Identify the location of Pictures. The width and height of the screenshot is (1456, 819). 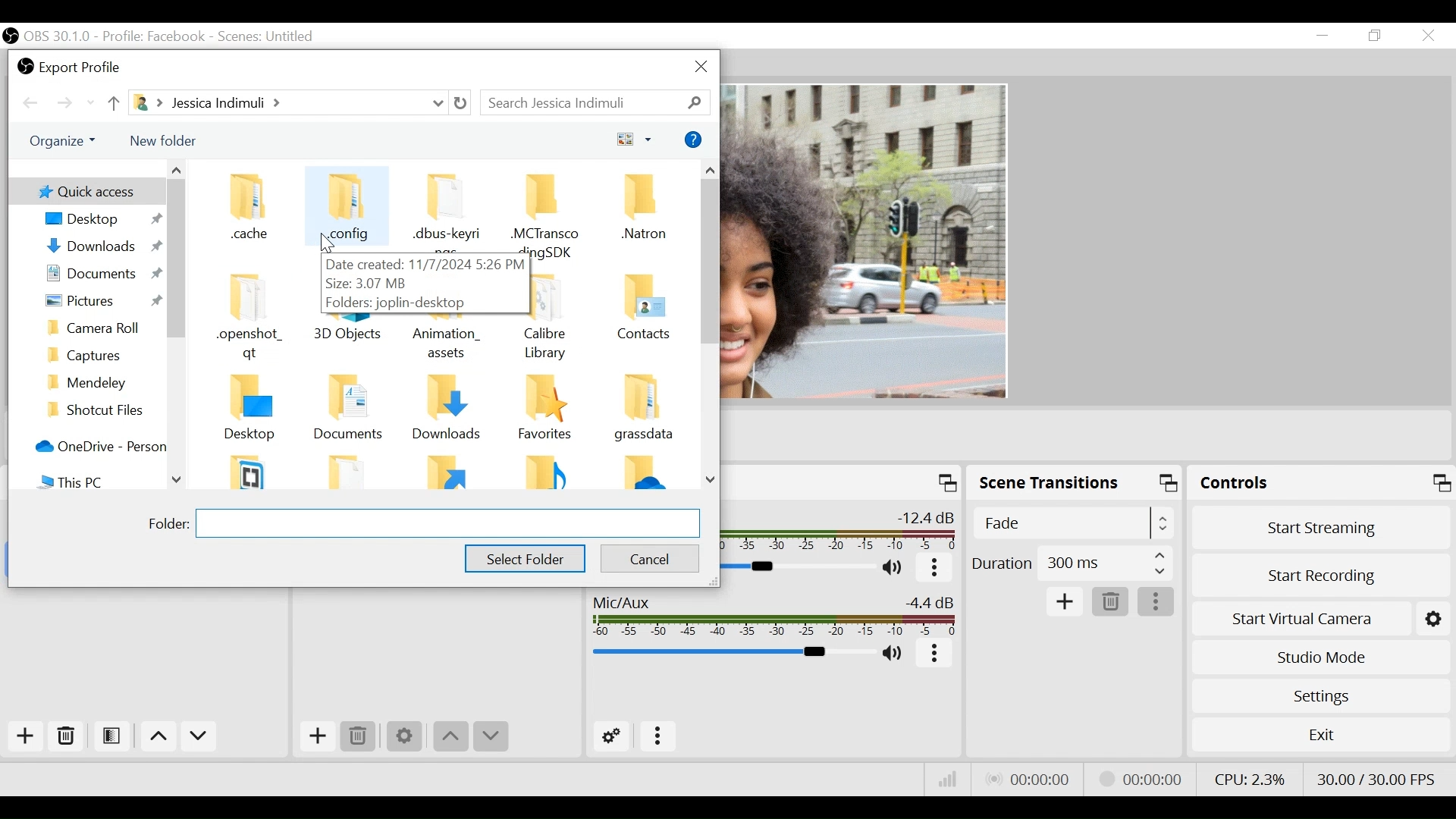
(99, 301).